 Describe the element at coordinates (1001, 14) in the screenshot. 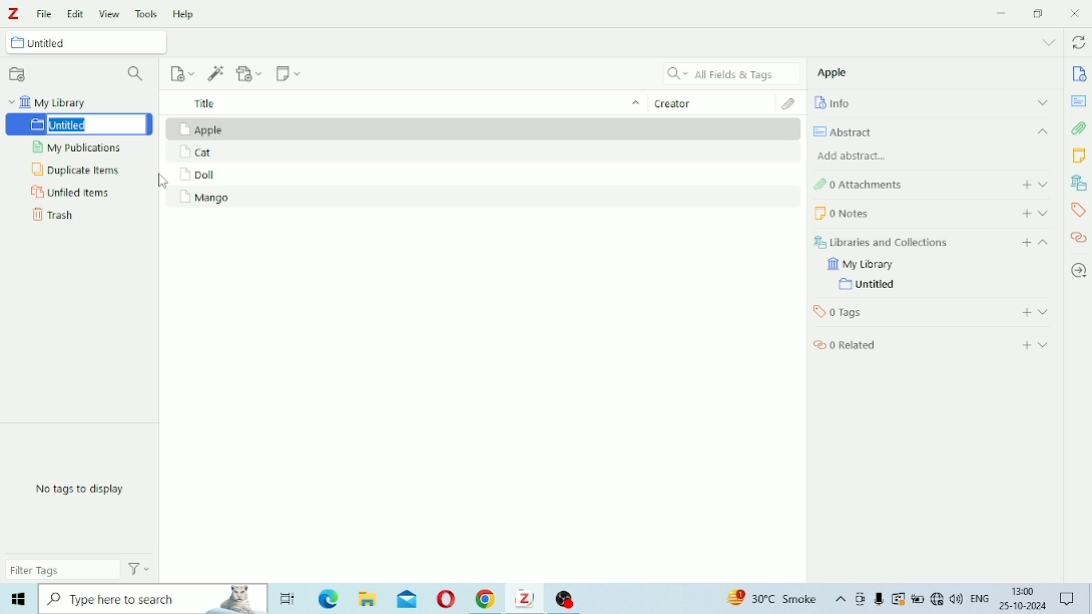

I see `Minimize` at that location.